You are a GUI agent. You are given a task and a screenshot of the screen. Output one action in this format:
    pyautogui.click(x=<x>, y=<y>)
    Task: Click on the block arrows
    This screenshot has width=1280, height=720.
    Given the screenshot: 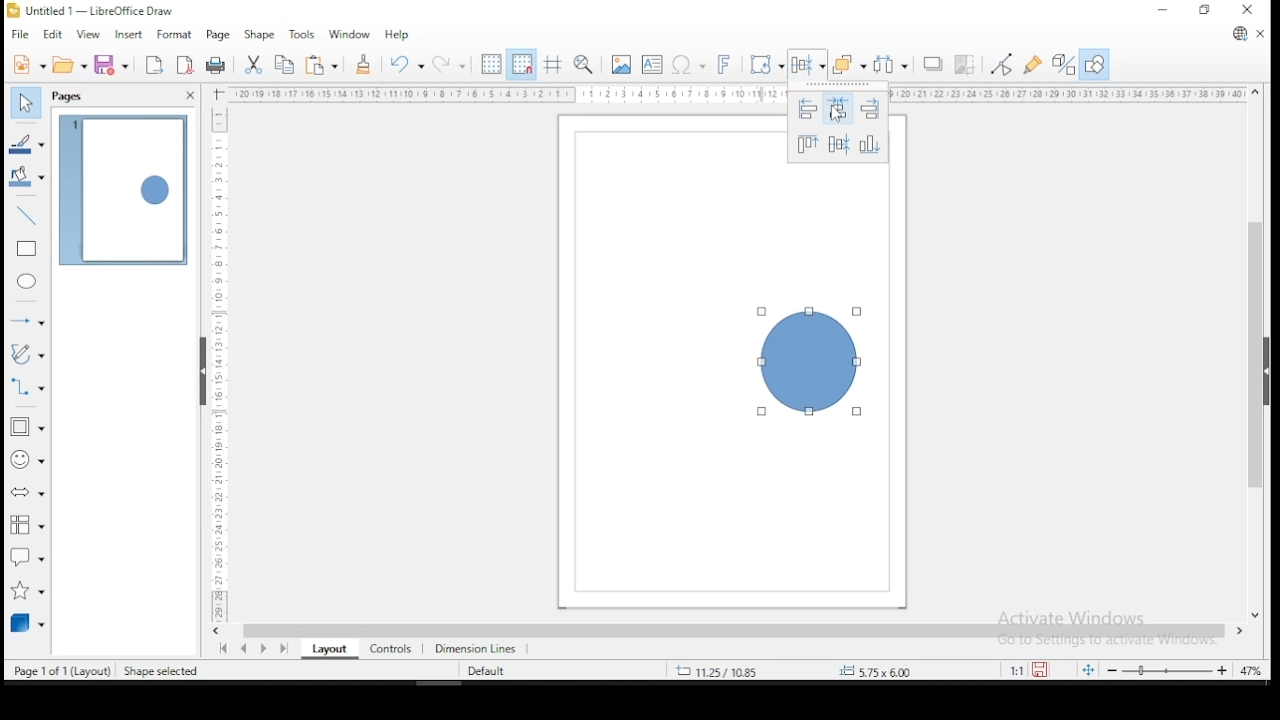 What is the action you would take?
    pyautogui.click(x=28, y=495)
    